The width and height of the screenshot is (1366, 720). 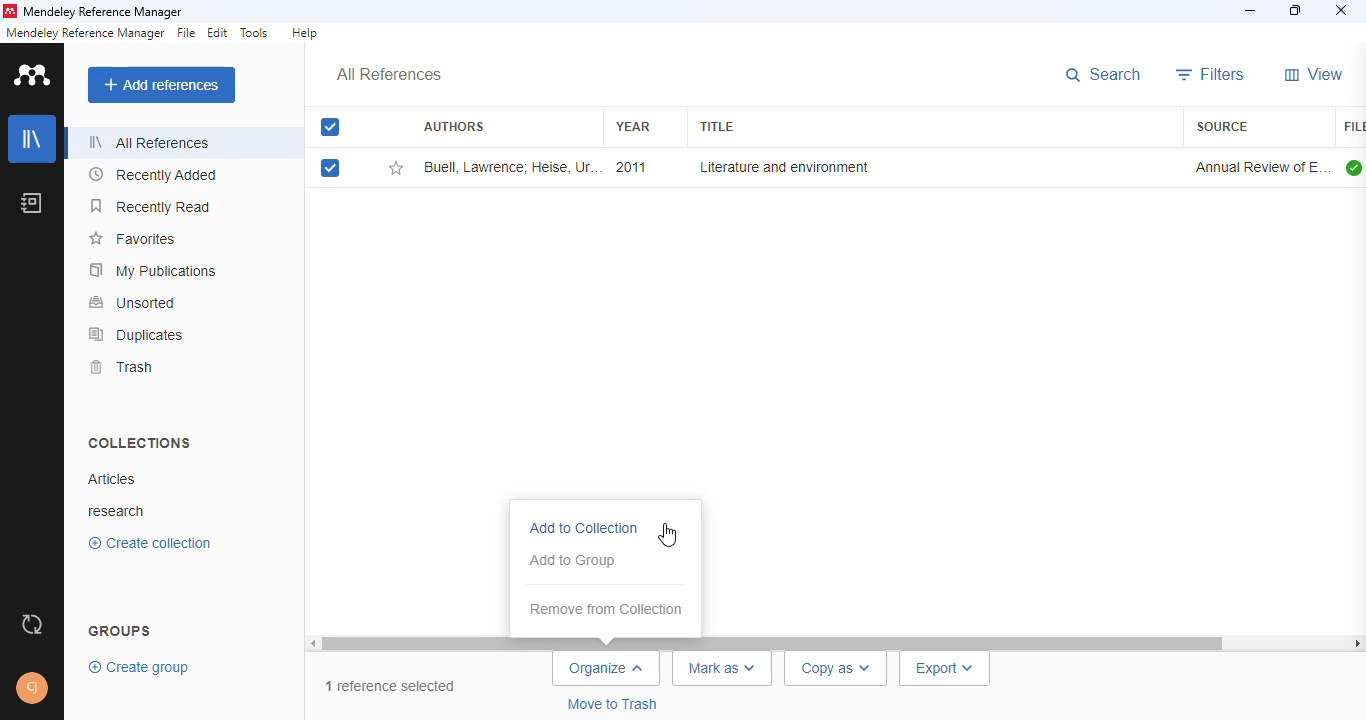 I want to click on mendeley reference manager, so click(x=104, y=12).